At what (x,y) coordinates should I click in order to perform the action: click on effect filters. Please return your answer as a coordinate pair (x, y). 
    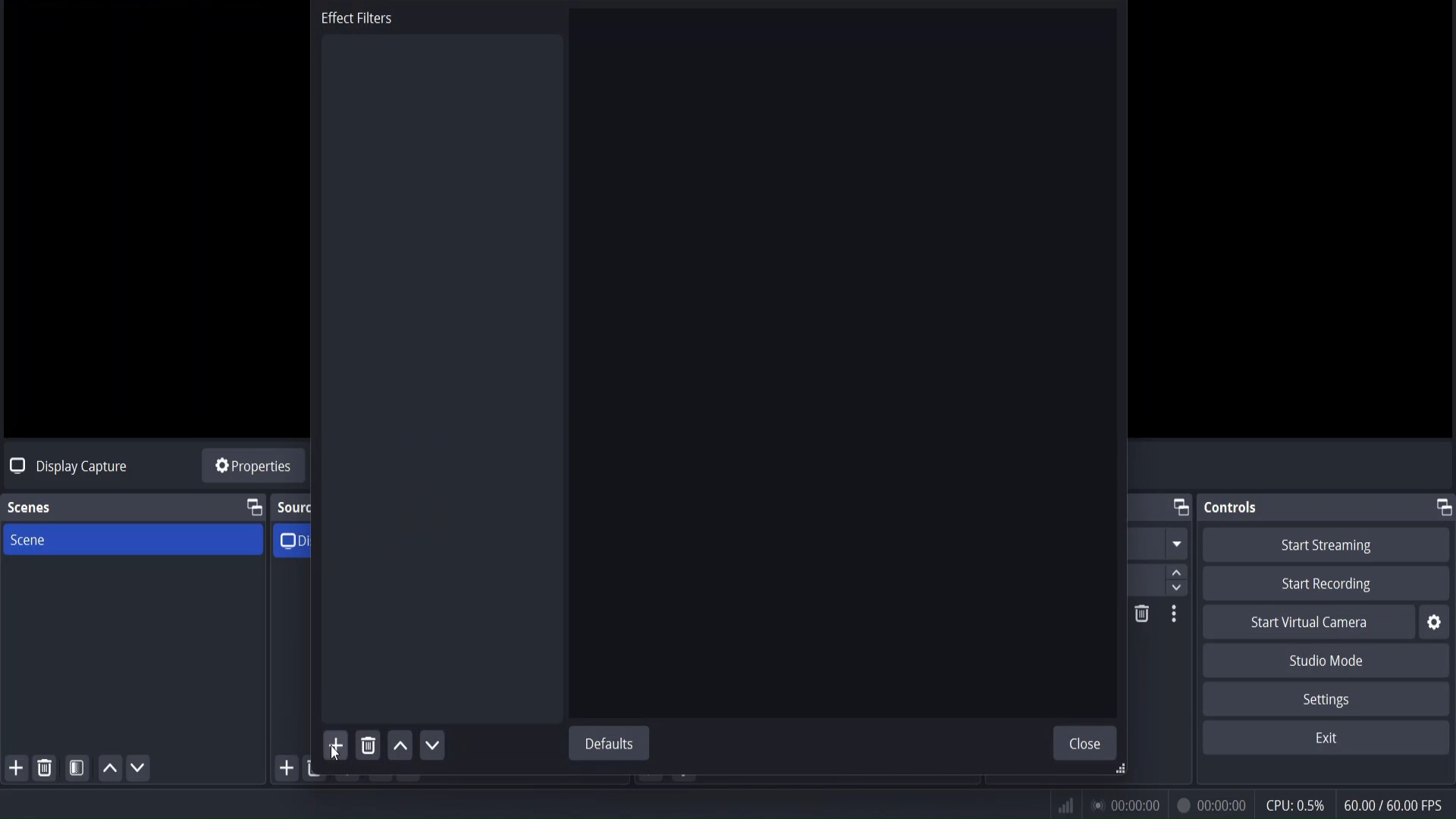
    Looking at the image, I should click on (358, 21).